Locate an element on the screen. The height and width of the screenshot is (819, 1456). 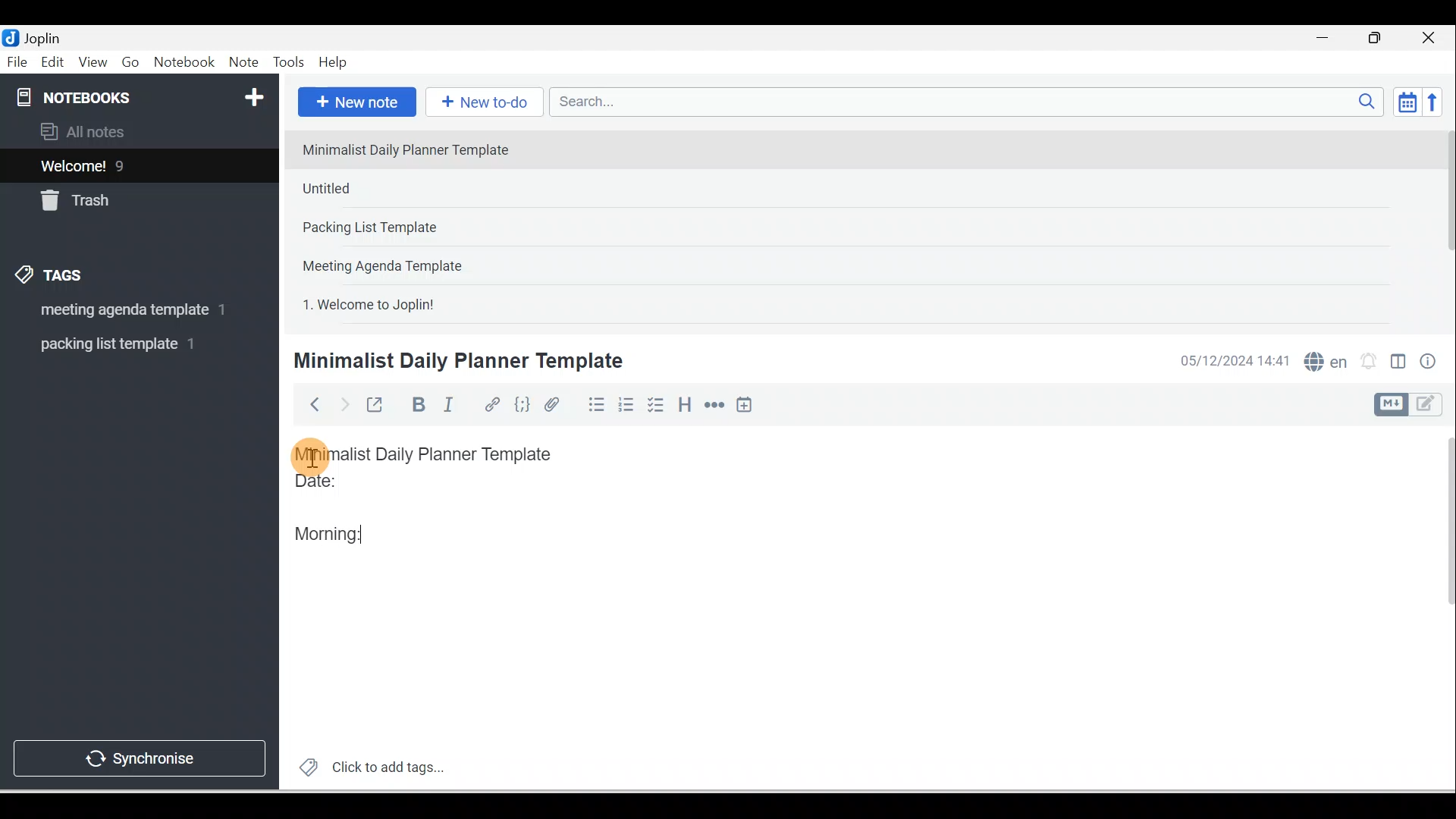
Tools is located at coordinates (288, 62).